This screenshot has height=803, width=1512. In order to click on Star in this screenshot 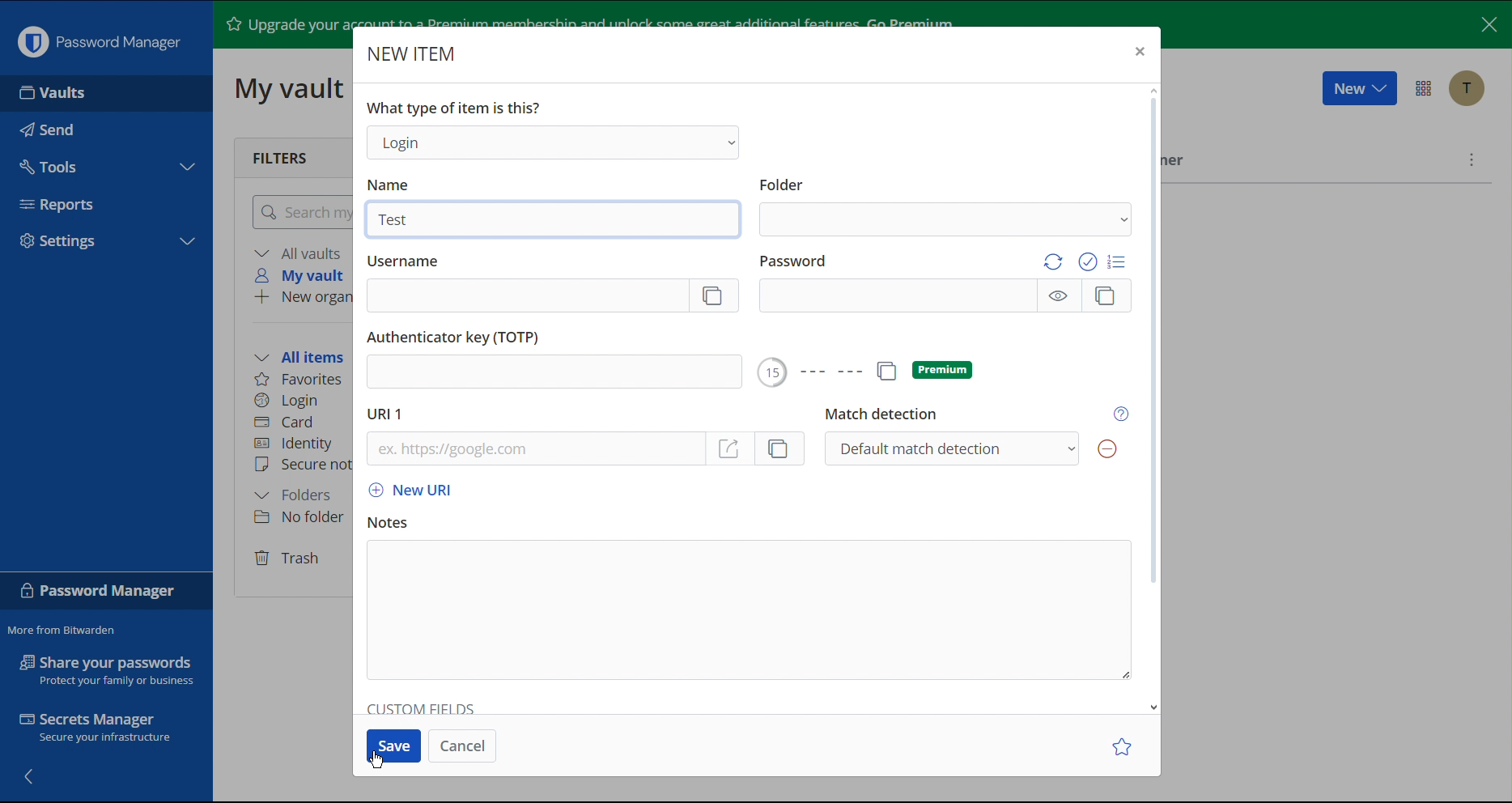, I will do `click(1123, 745)`.